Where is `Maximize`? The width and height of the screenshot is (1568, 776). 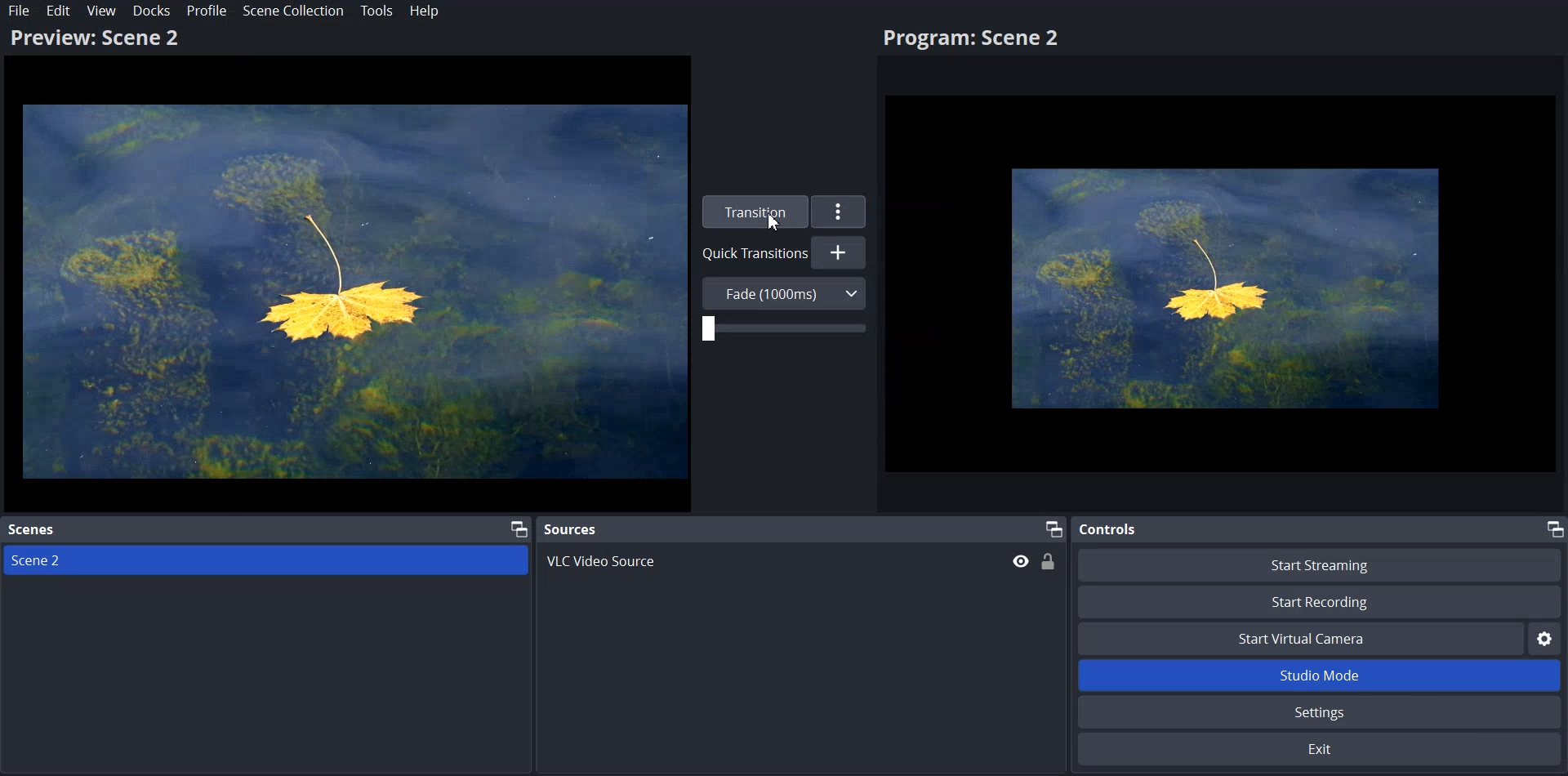 Maximize is located at coordinates (1554, 528).